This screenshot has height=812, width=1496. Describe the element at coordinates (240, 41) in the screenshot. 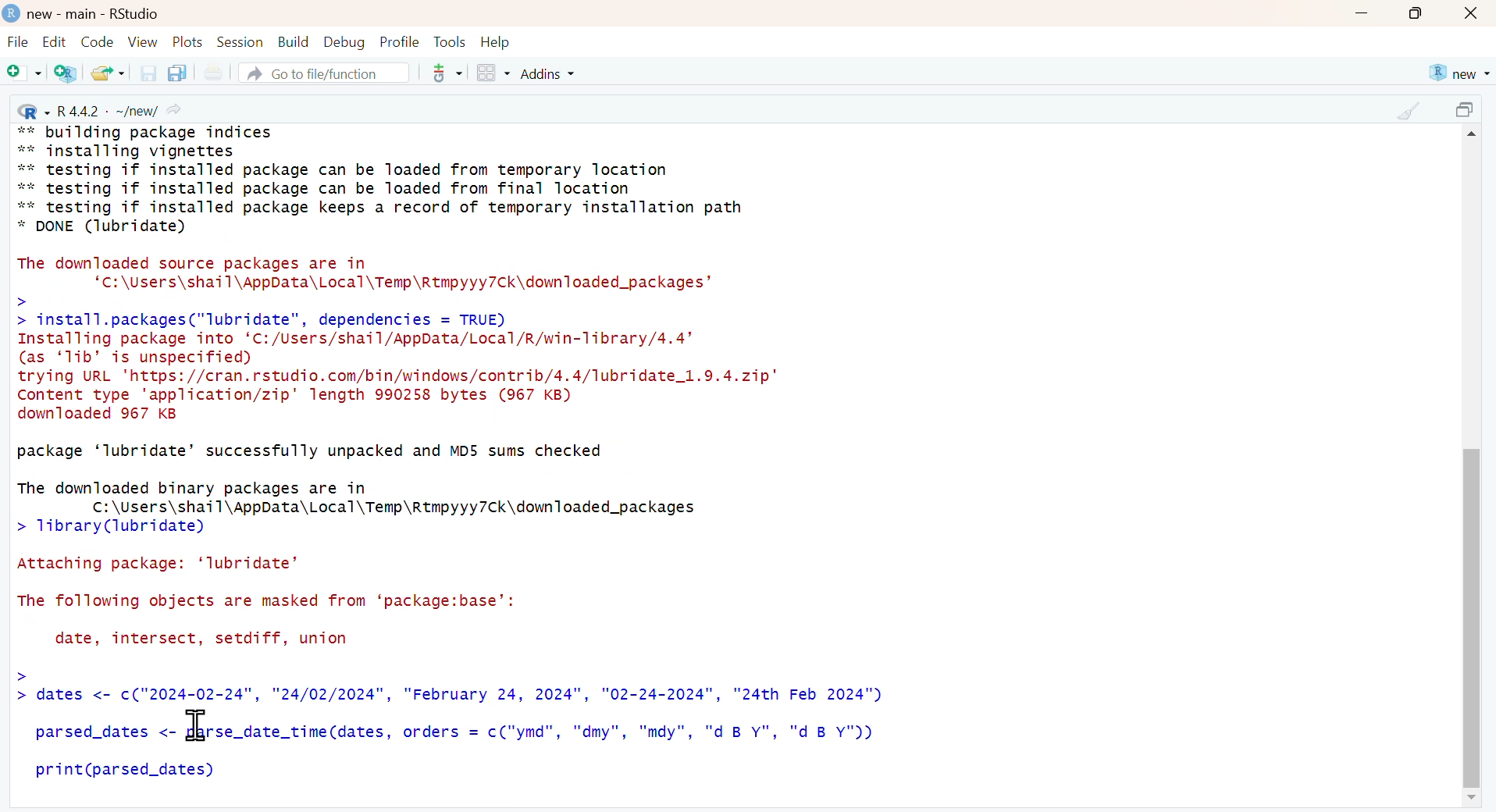

I see `Session` at that location.